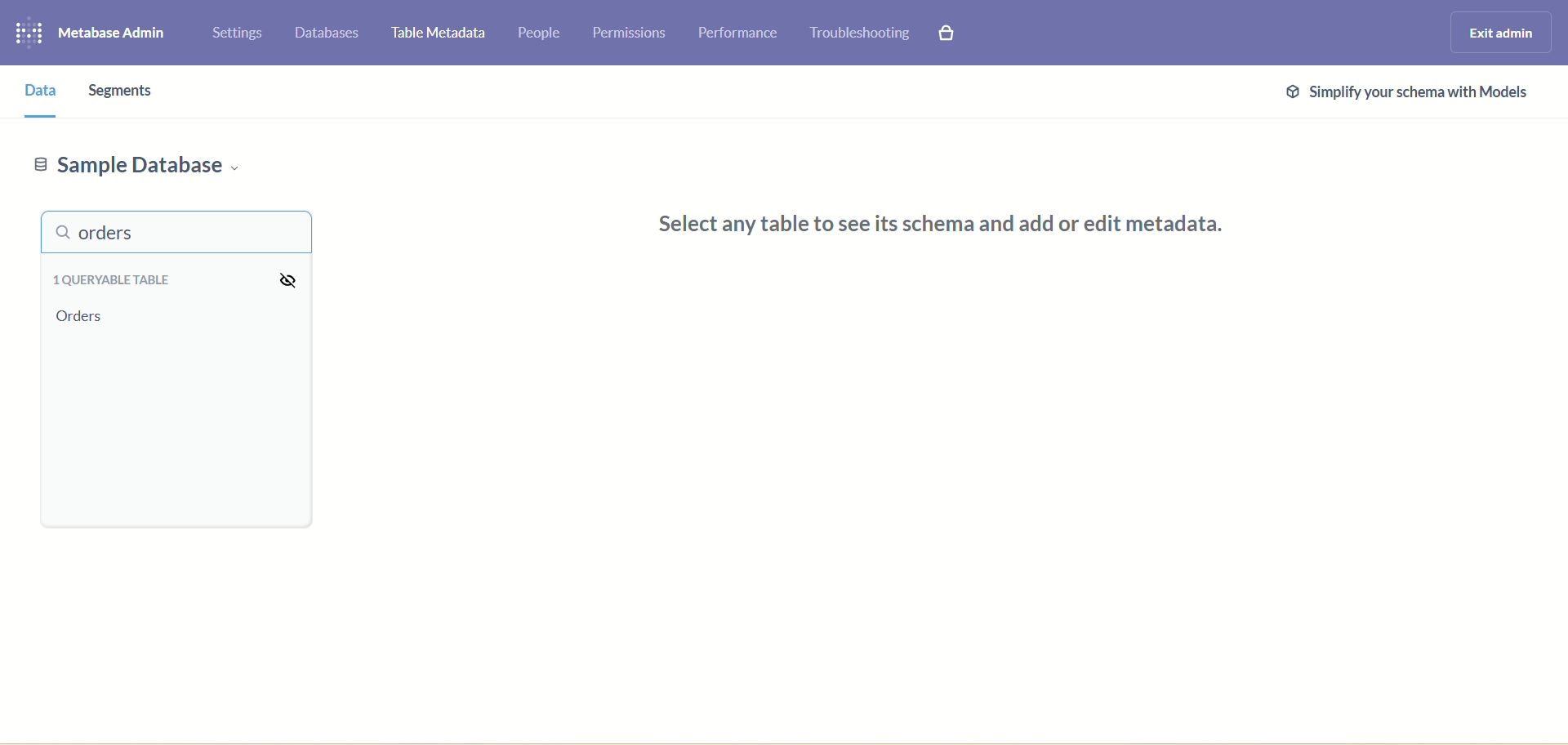  I want to click on sample database, so click(131, 166).